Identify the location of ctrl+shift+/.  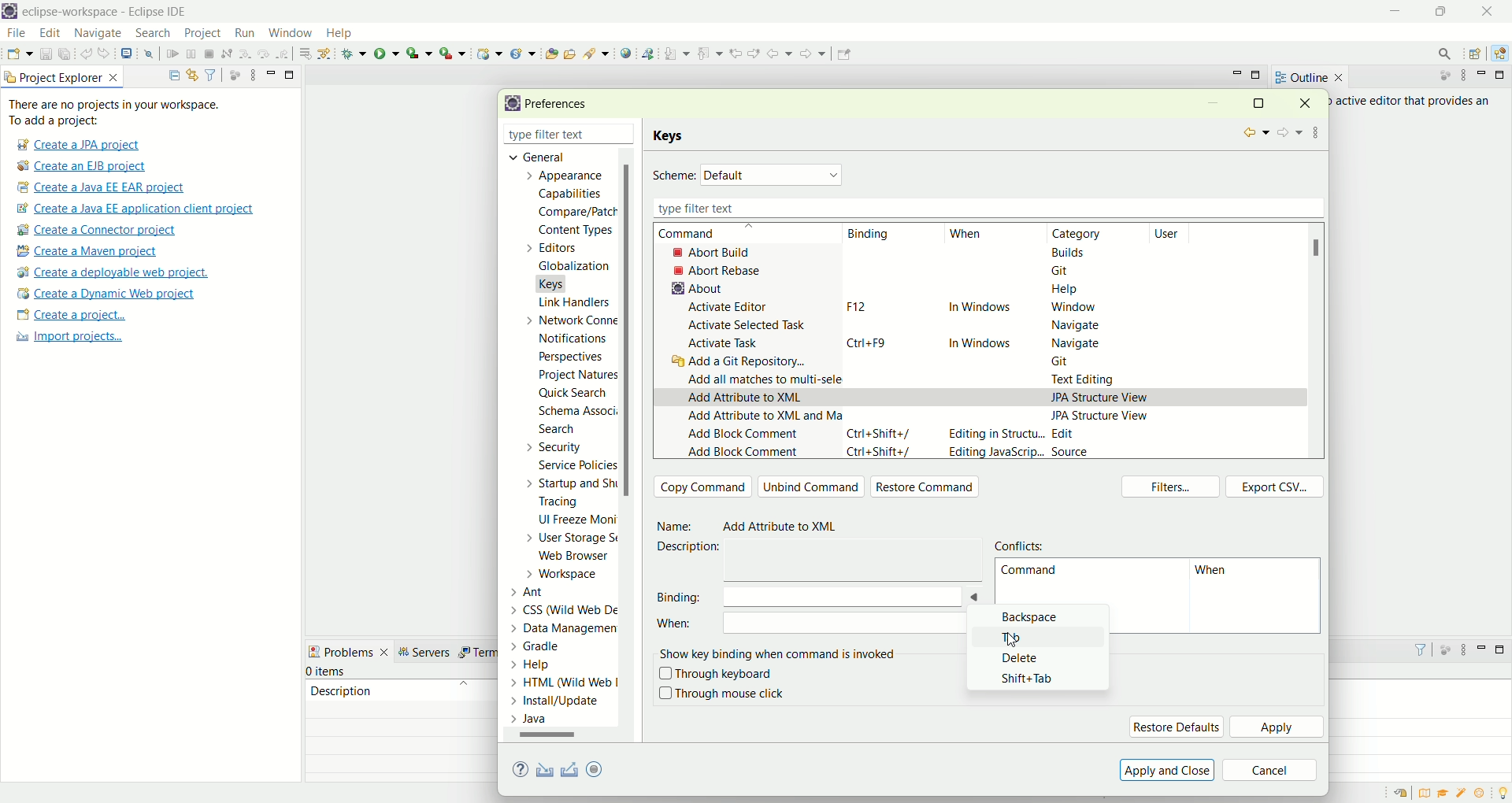
(880, 433).